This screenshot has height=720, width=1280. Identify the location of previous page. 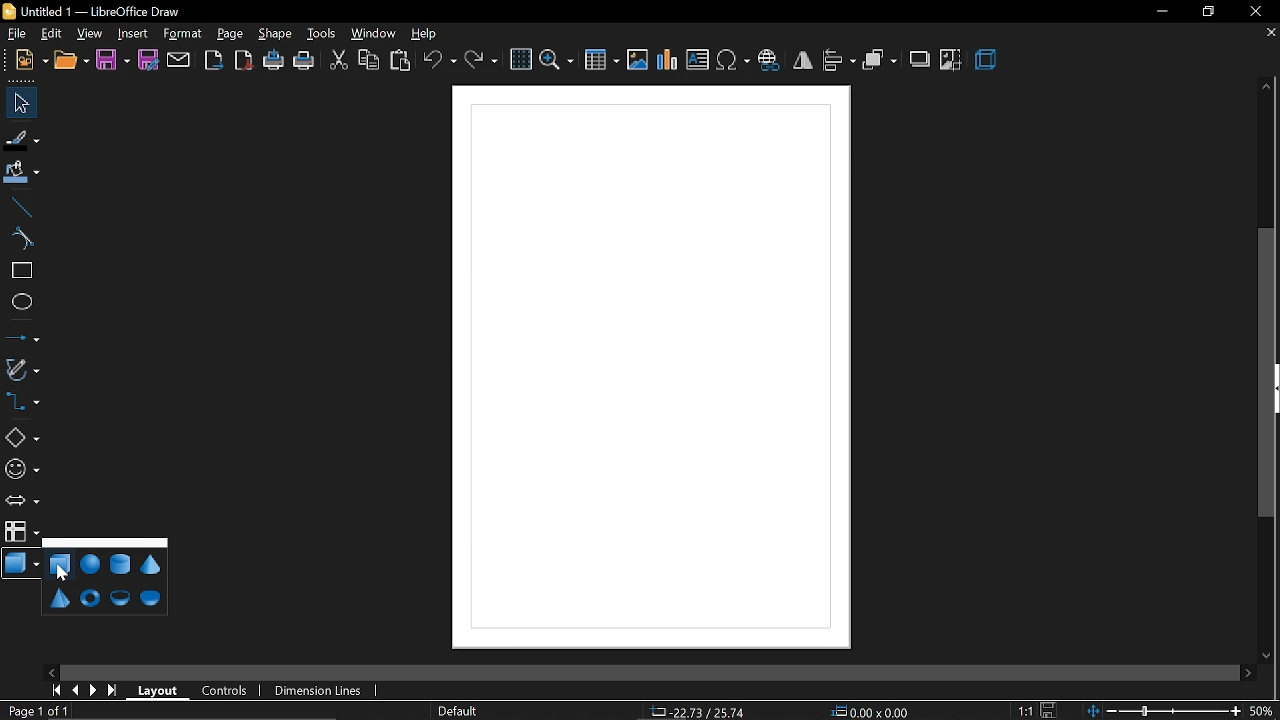
(72, 691).